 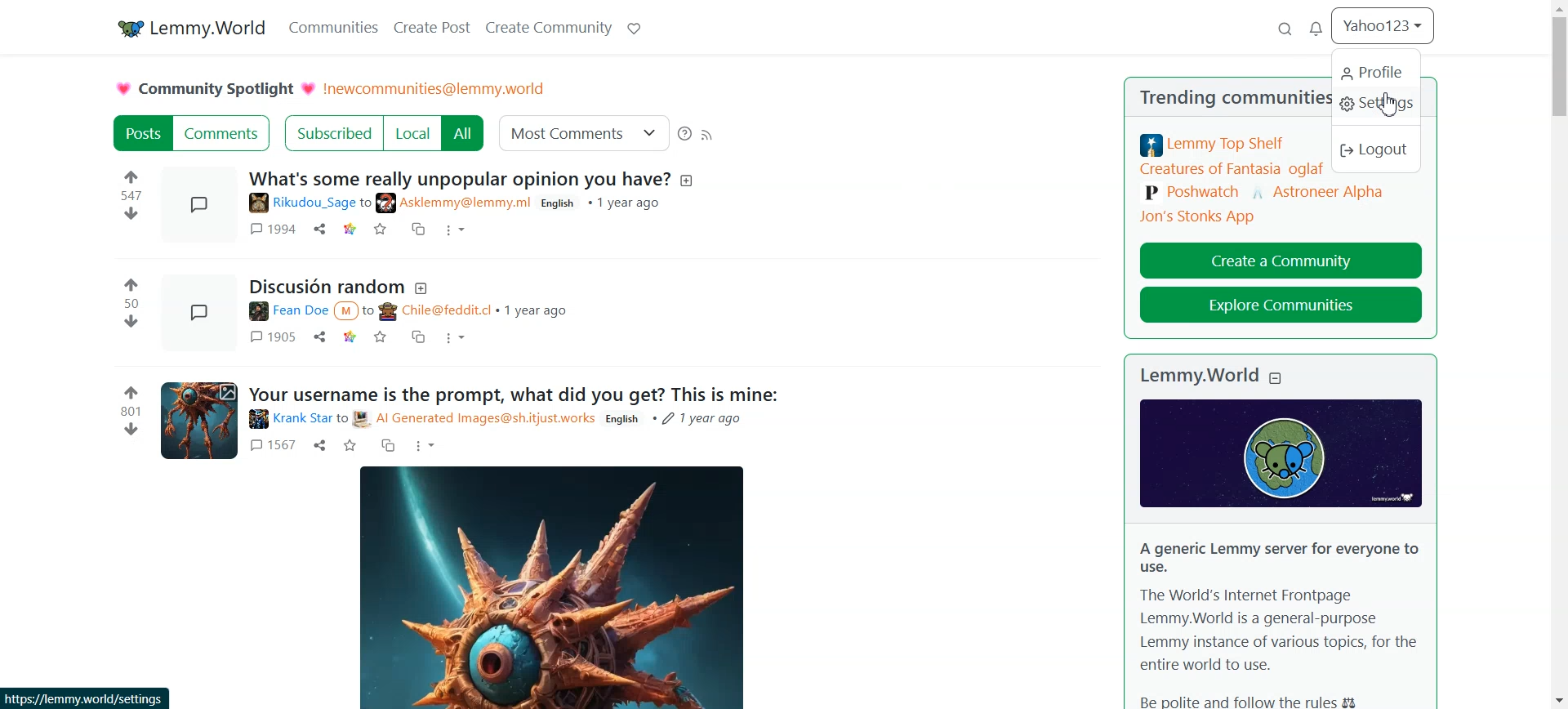 I want to click on share, so click(x=321, y=338).